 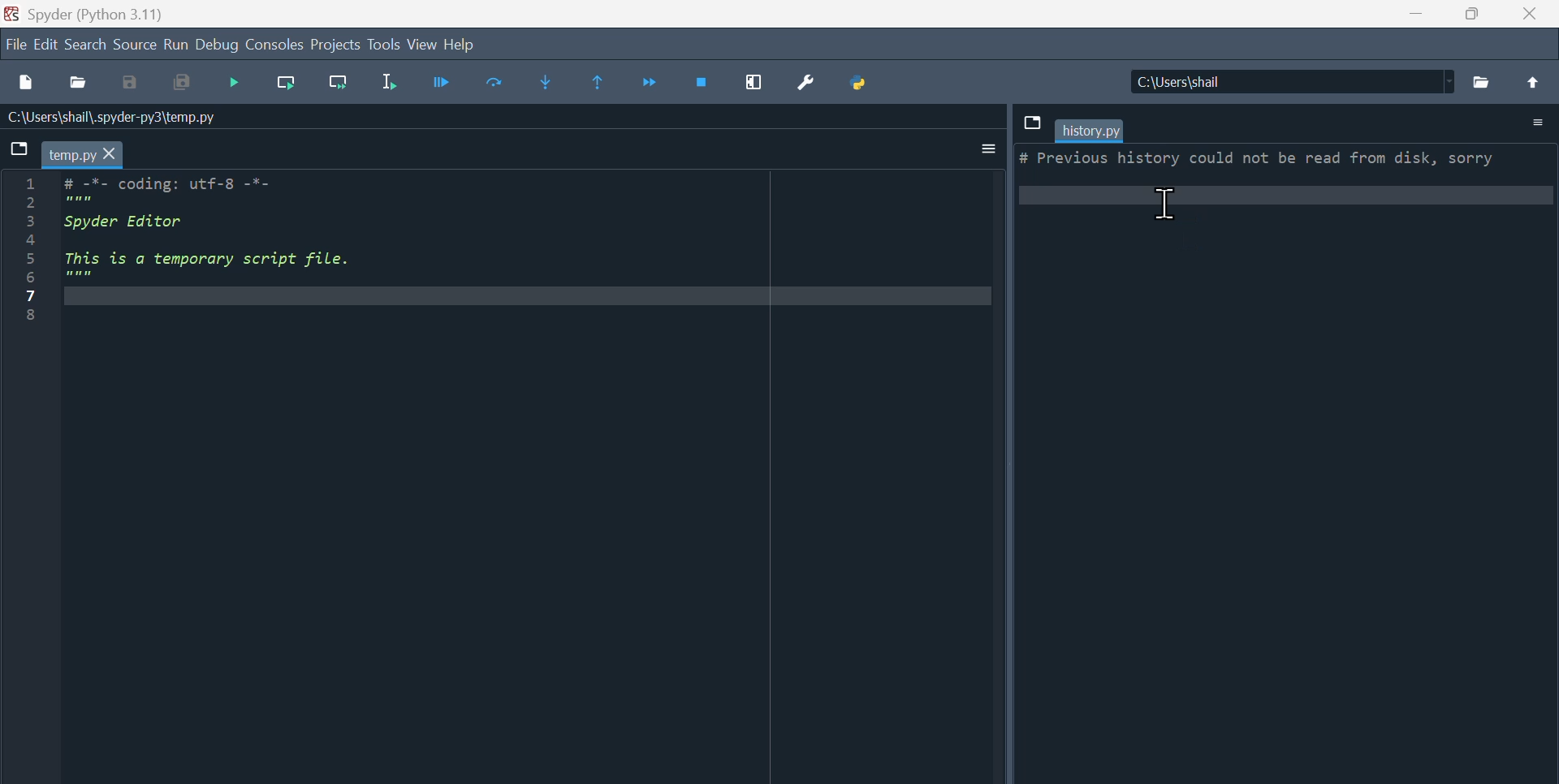 What do you see at coordinates (1471, 13) in the screenshot?
I see `Restore` at bounding box center [1471, 13].